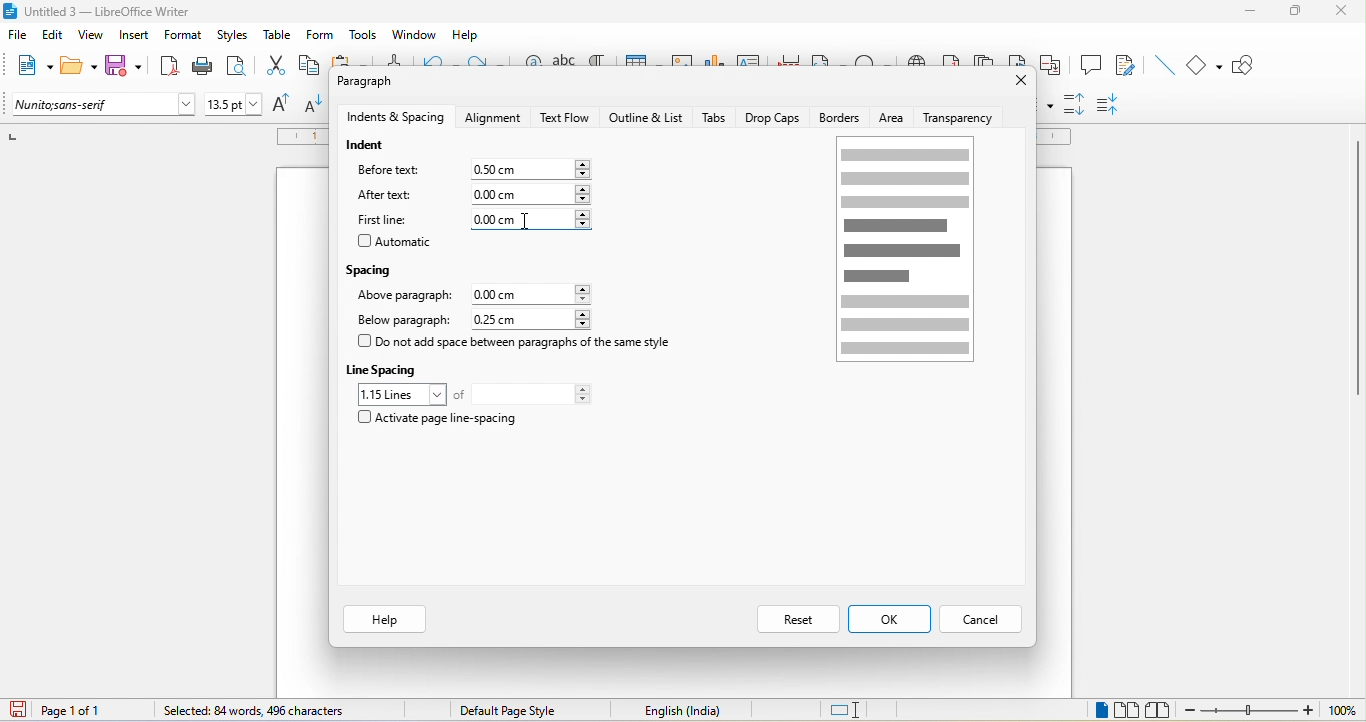 This screenshot has height=722, width=1366. Describe the element at coordinates (529, 343) in the screenshot. I see `do not add space between paragraph of the same style` at that location.